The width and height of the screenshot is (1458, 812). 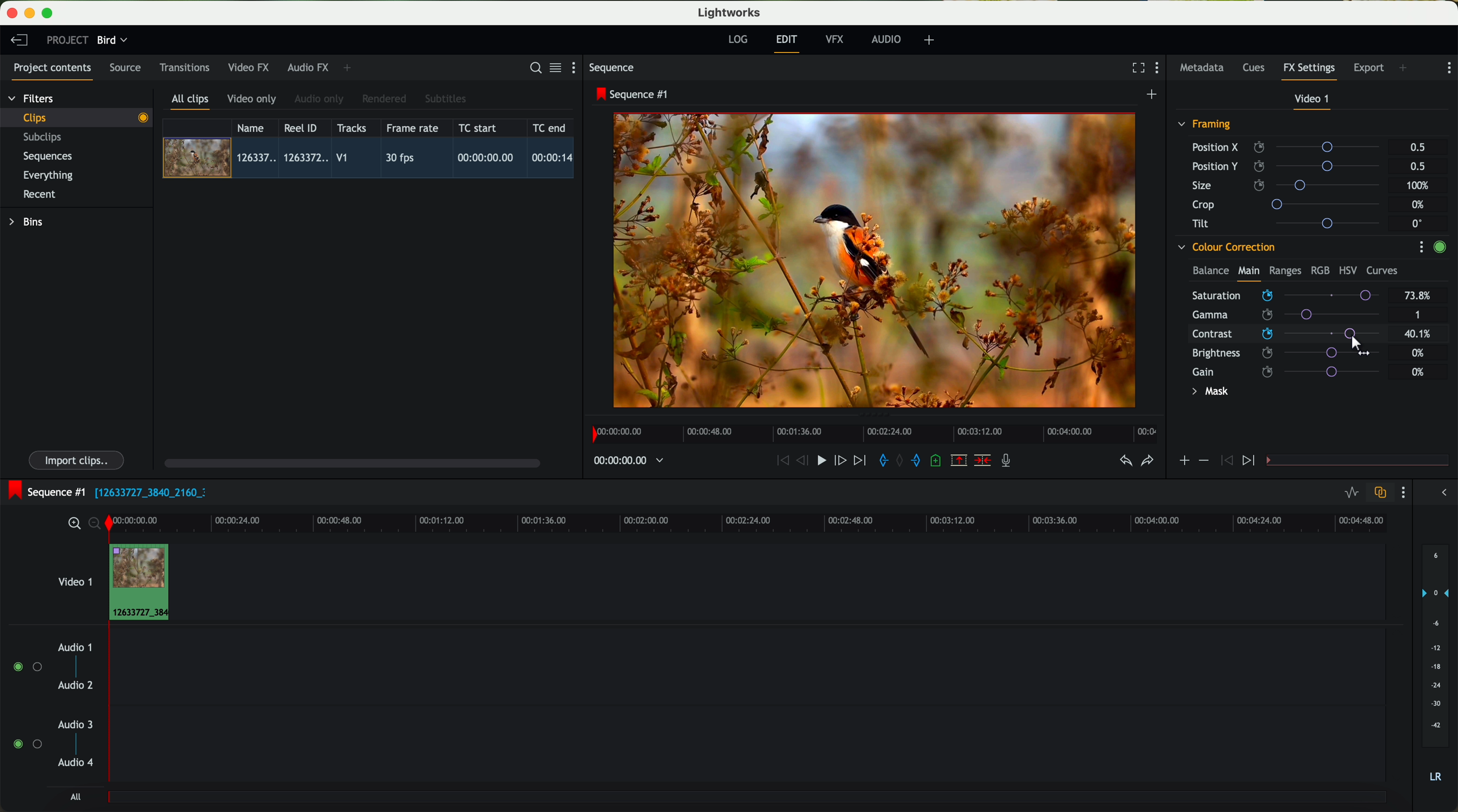 I want to click on show/hide the full audio mix, so click(x=1440, y=493).